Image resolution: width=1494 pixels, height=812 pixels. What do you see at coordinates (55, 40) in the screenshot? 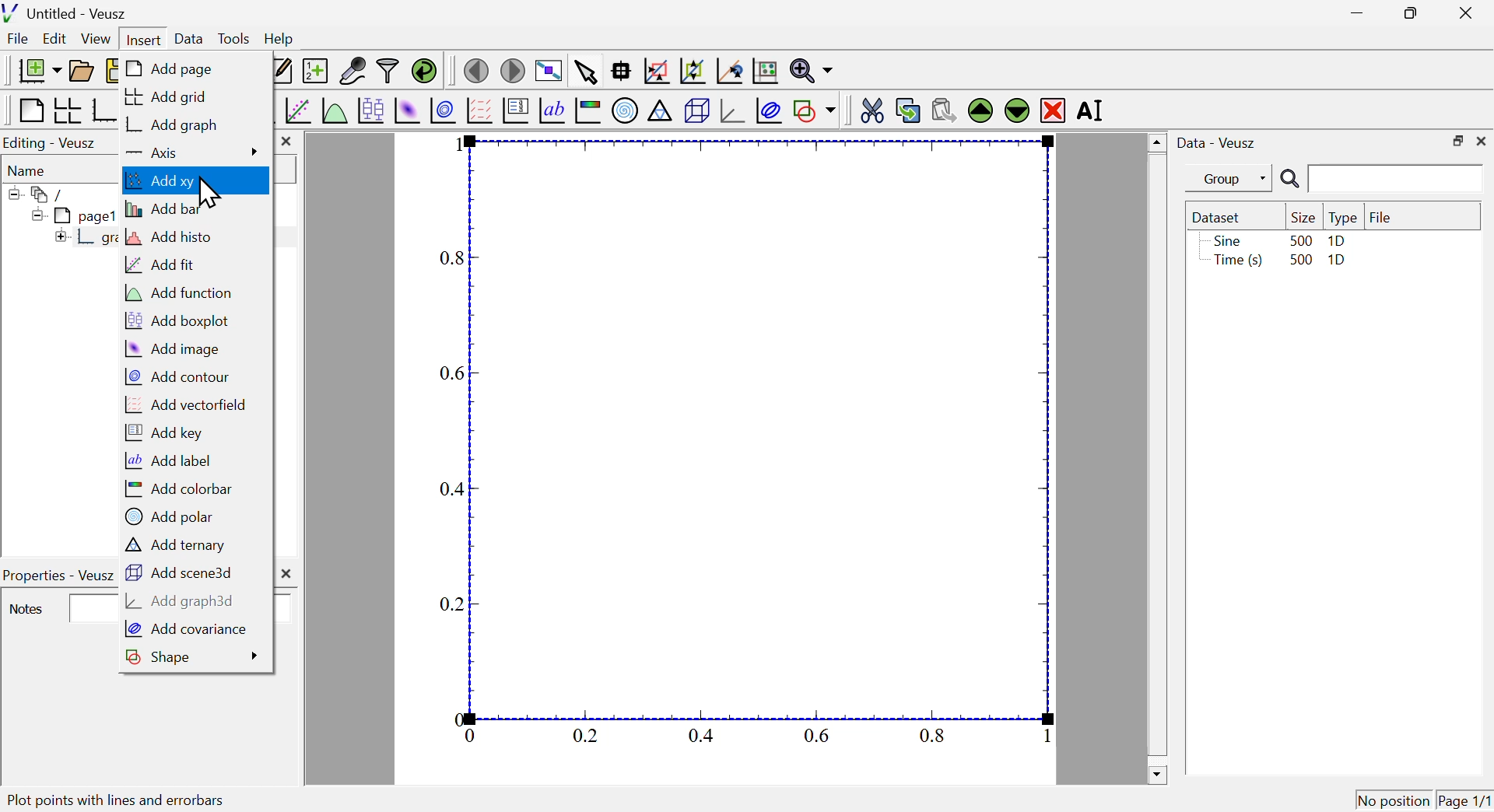
I see `Edit` at bounding box center [55, 40].